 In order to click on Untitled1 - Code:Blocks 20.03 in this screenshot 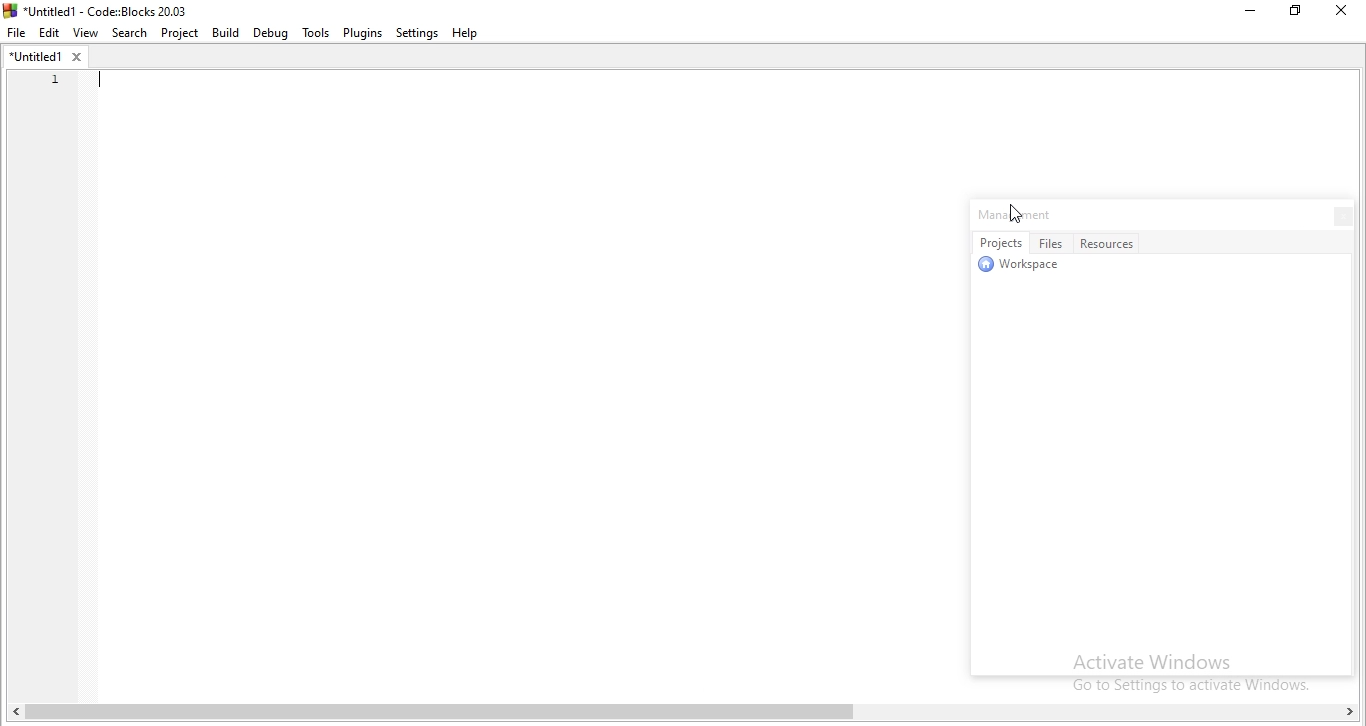, I will do `click(100, 9)`.